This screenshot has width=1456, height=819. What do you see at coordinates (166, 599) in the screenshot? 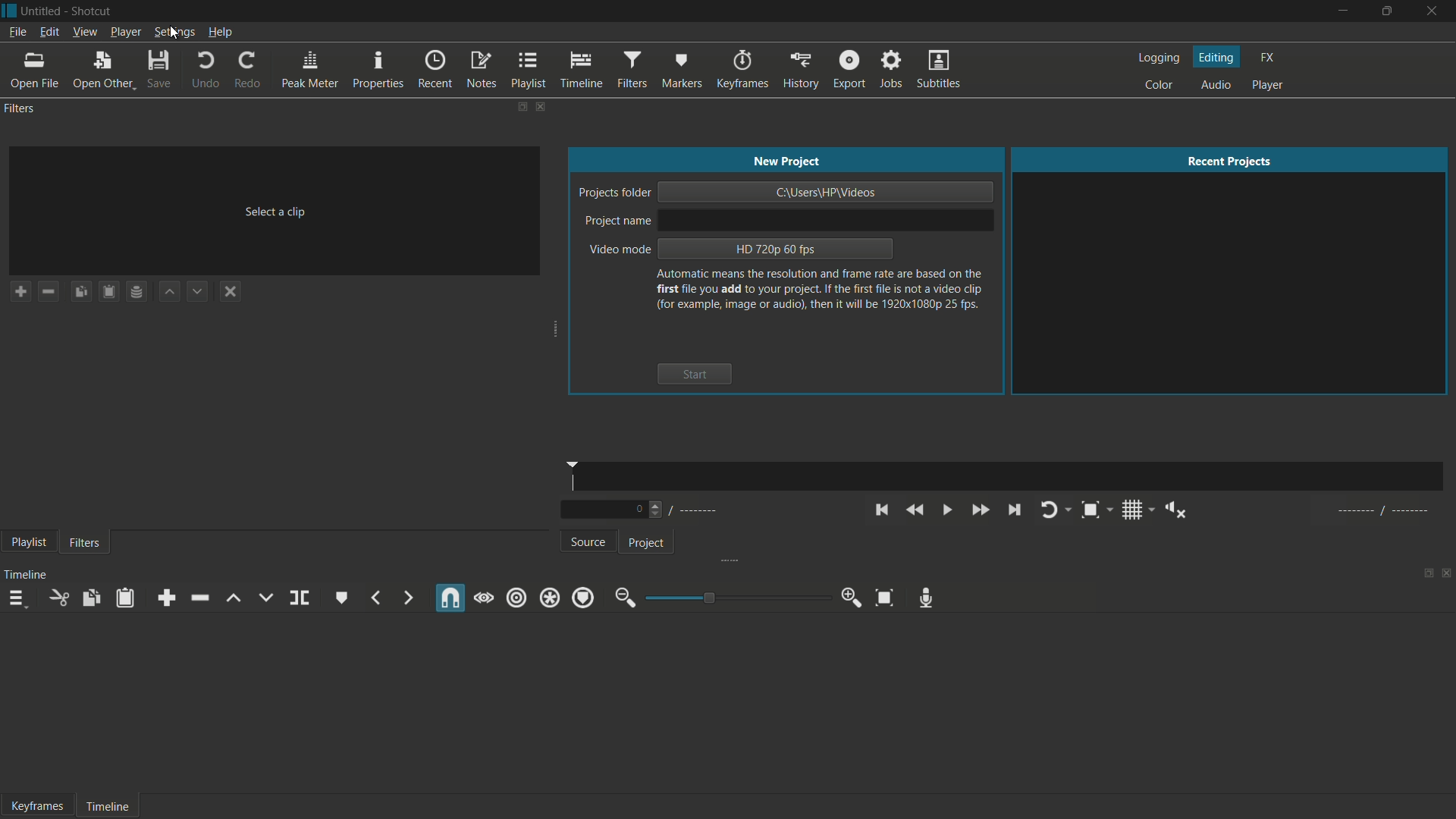
I see `append` at bounding box center [166, 599].